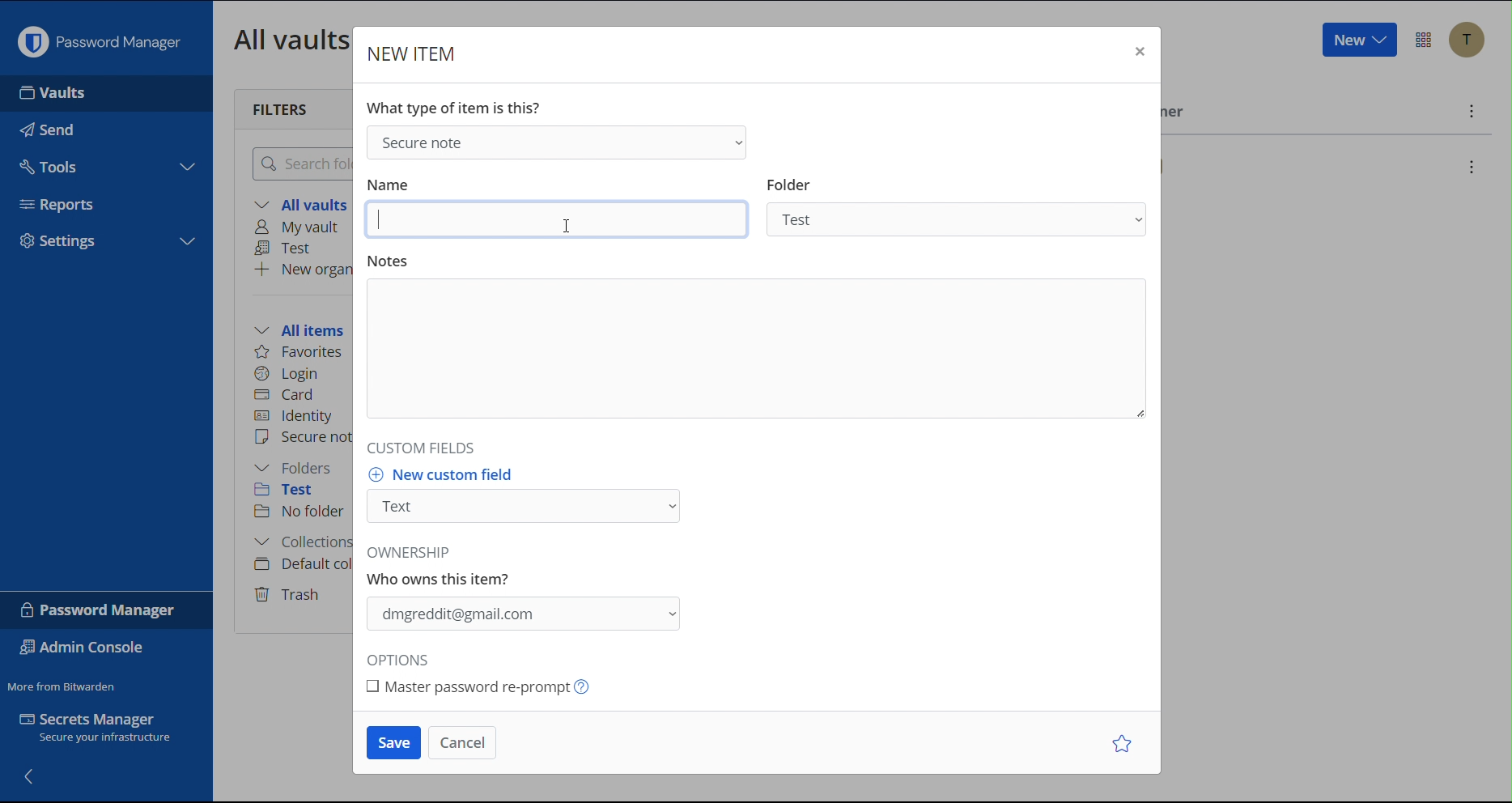 The width and height of the screenshot is (1512, 803). Describe the element at coordinates (299, 544) in the screenshot. I see `Collections` at that location.